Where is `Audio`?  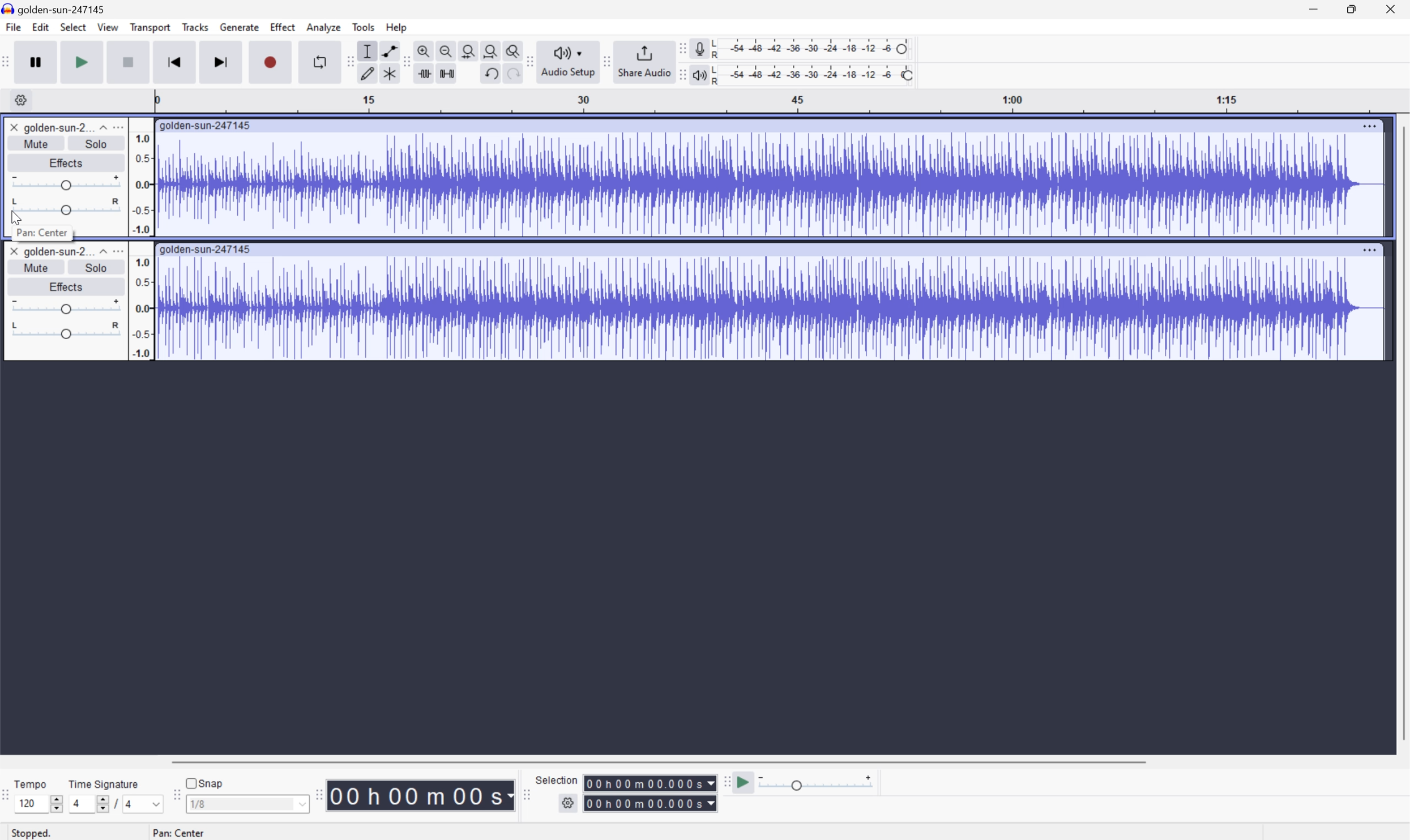 Audio is located at coordinates (772, 185).